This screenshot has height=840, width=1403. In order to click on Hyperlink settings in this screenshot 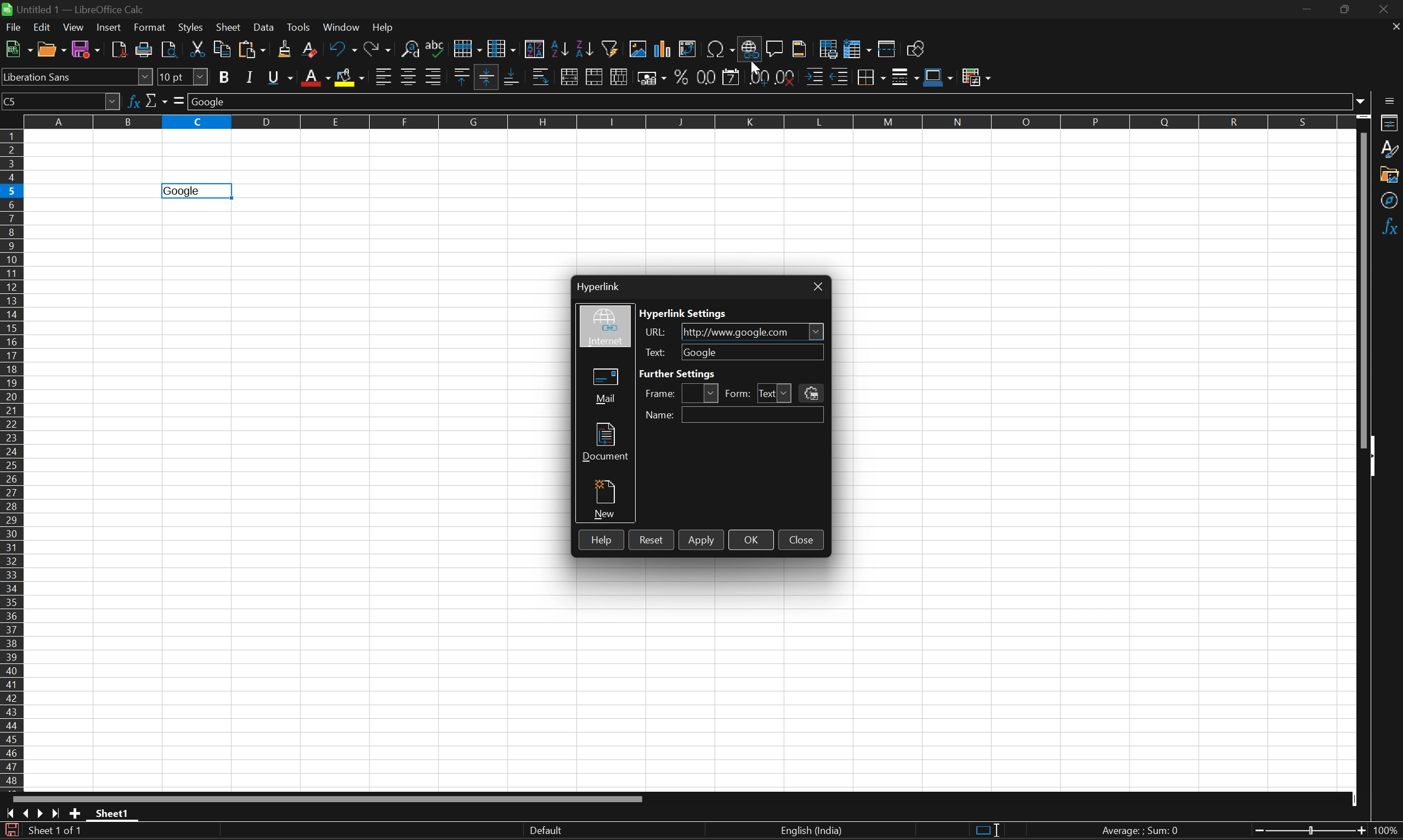, I will do `click(684, 314)`.